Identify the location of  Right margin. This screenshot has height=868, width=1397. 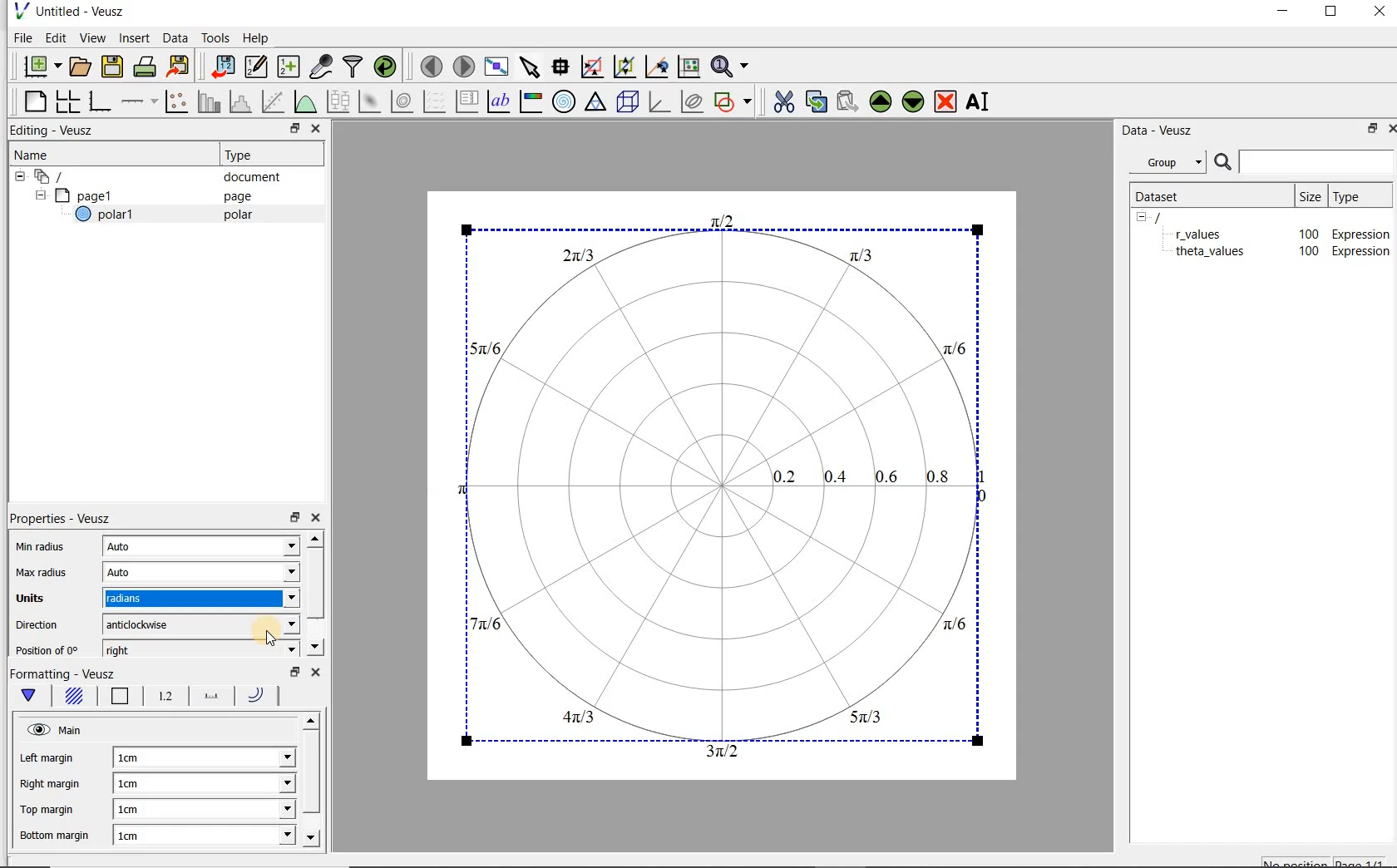
(52, 783).